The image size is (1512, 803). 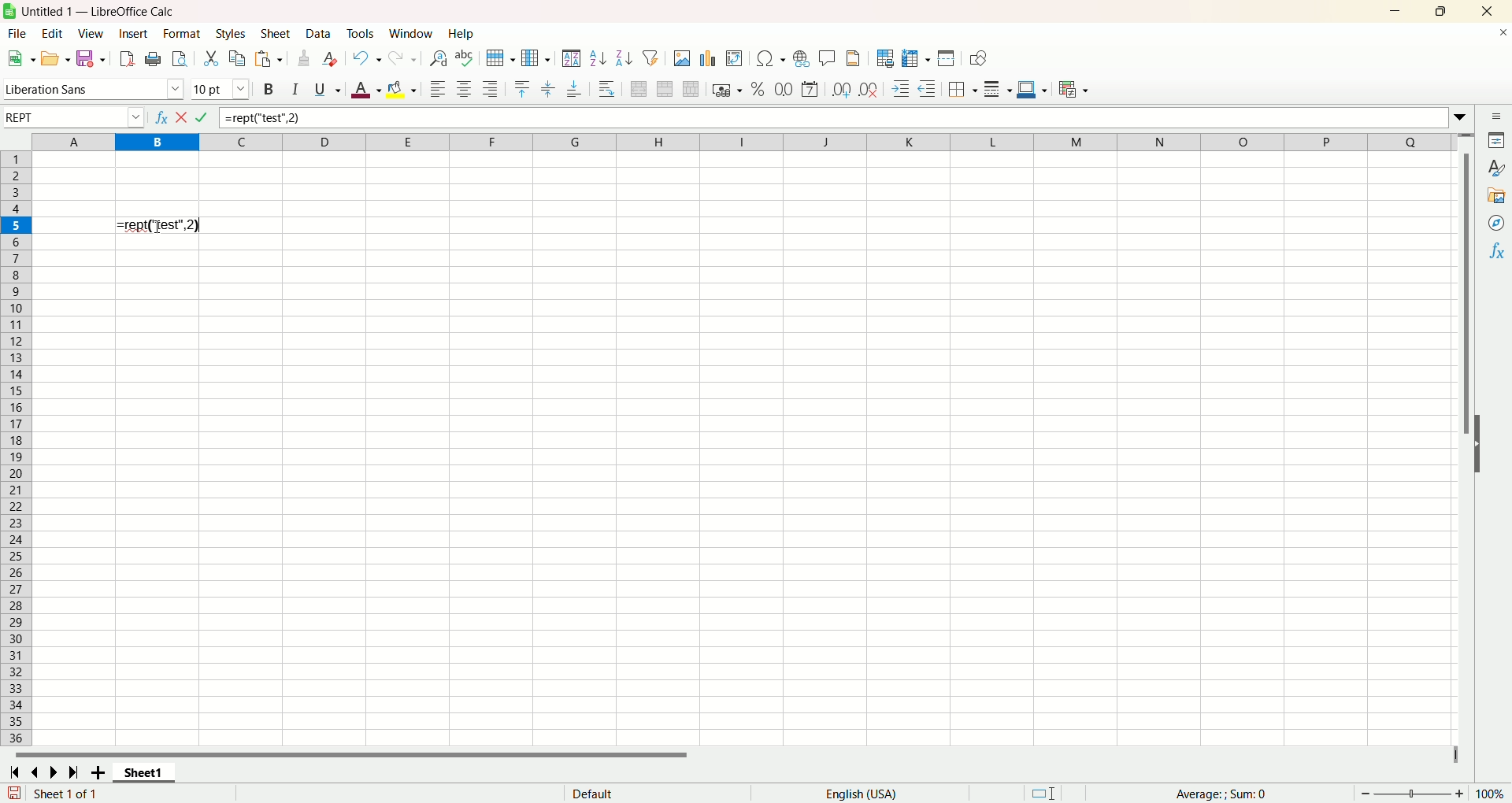 I want to click on standard selection, so click(x=1045, y=794).